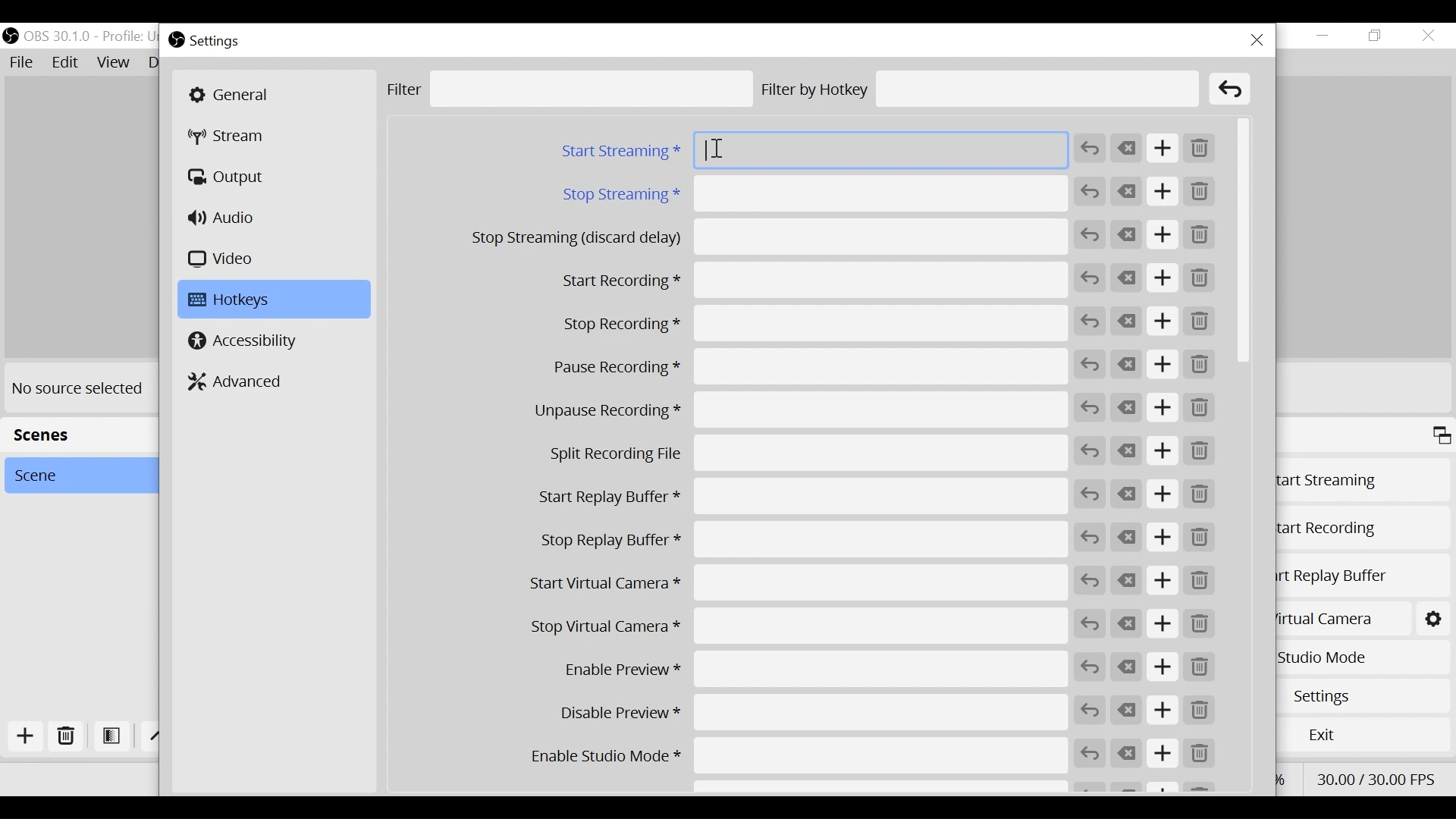 Image resolution: width=1456 pixels, height=819 pixels. I want to click on Remove, so click(1200, 236).